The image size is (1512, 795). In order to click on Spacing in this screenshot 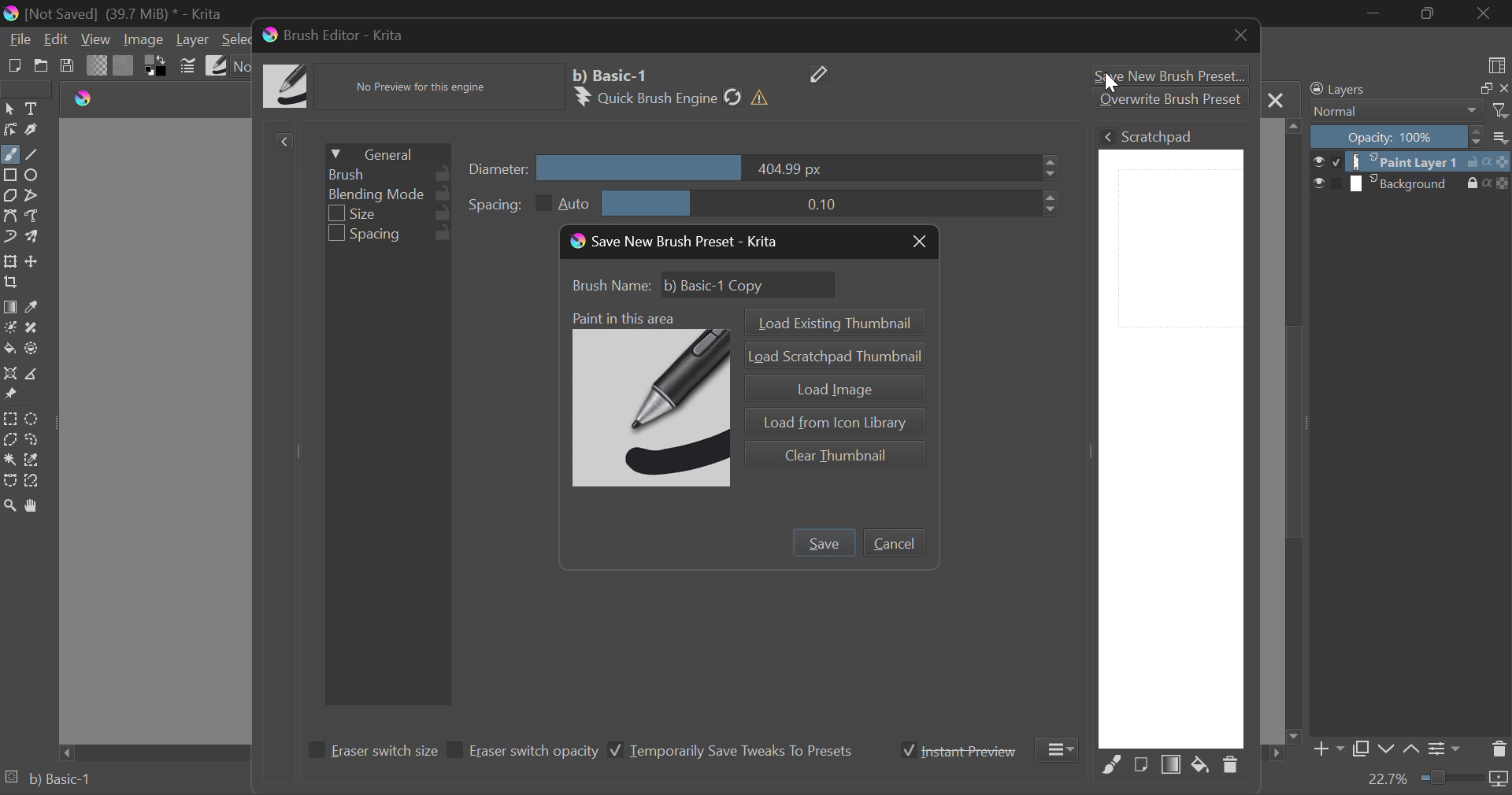, I will do `click(389, 235)`.